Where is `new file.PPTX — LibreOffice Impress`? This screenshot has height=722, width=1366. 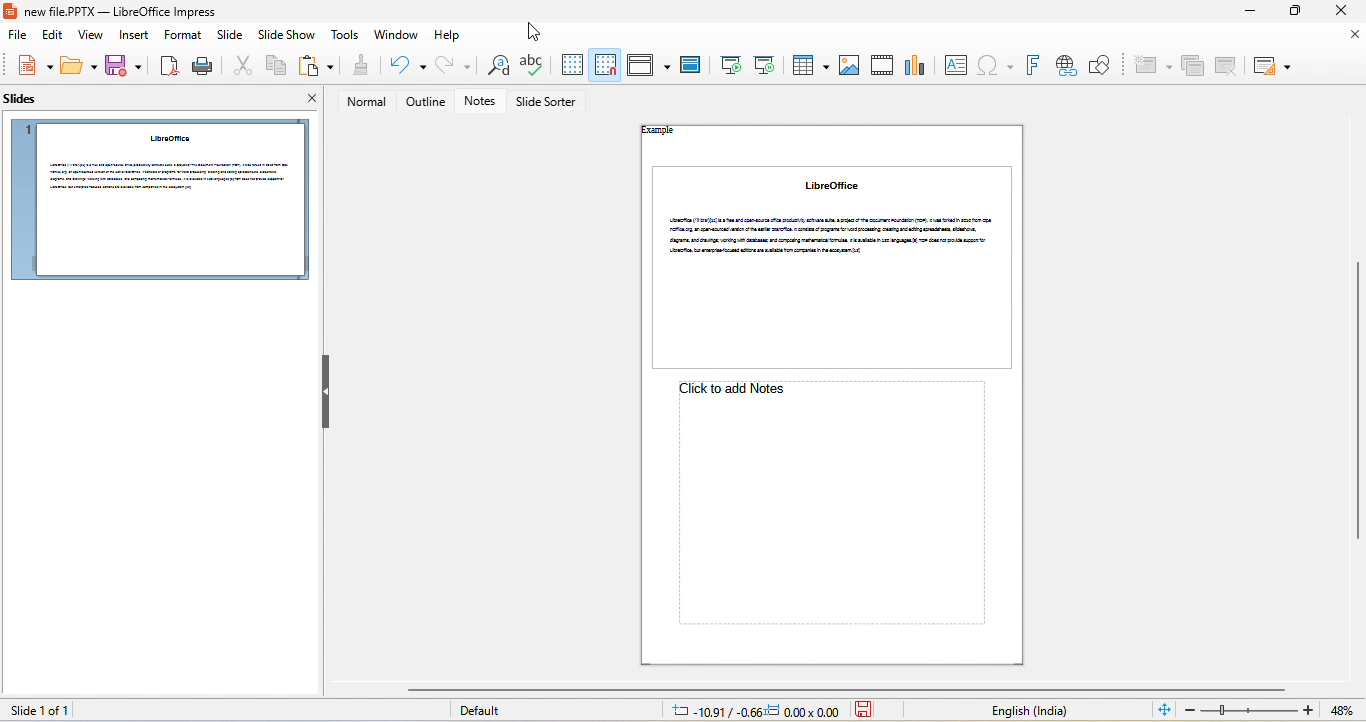
new file.PPTX — LibreOffice Impress is located at coordinates (116, 11).